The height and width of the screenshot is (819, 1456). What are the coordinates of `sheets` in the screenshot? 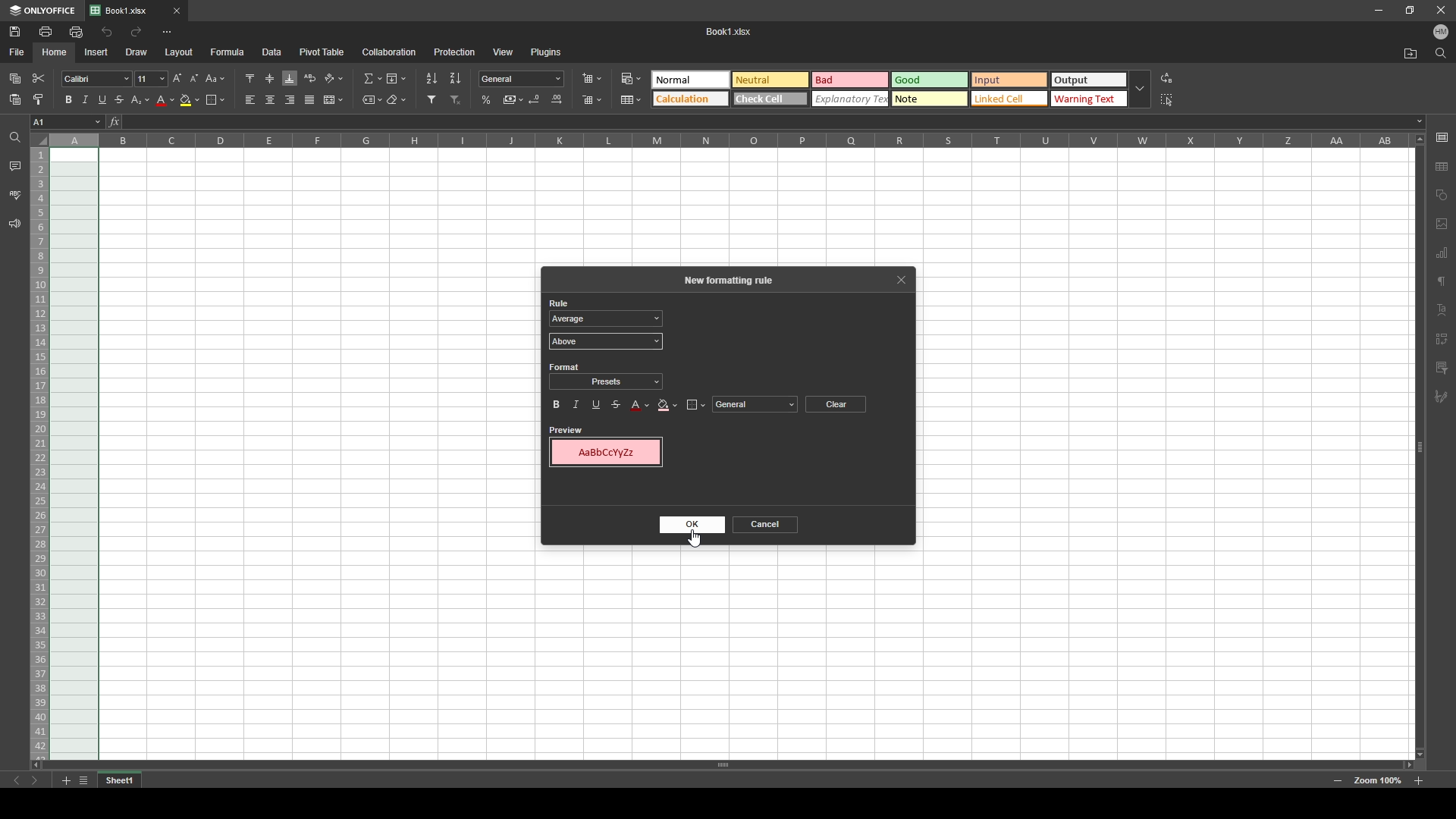 It's located at (1442, 252).